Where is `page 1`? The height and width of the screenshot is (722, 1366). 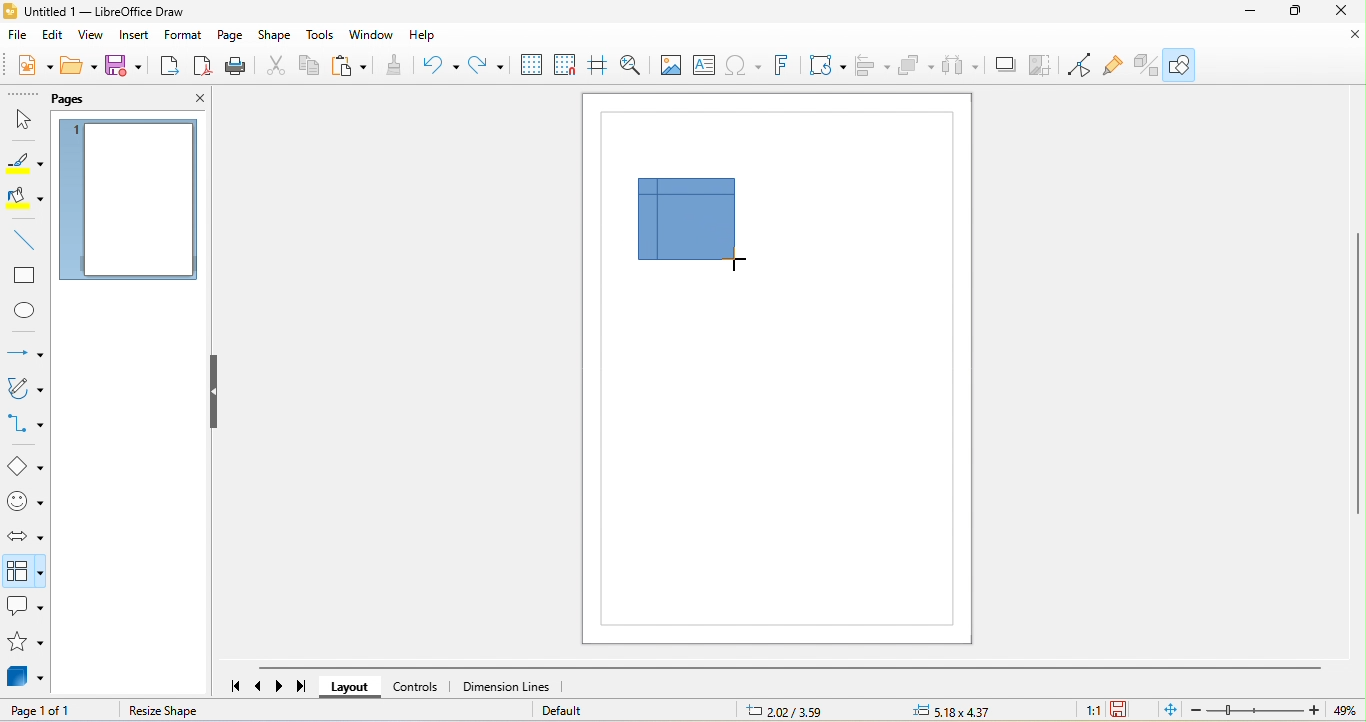
page 1 is located at coordinates (128, 202).